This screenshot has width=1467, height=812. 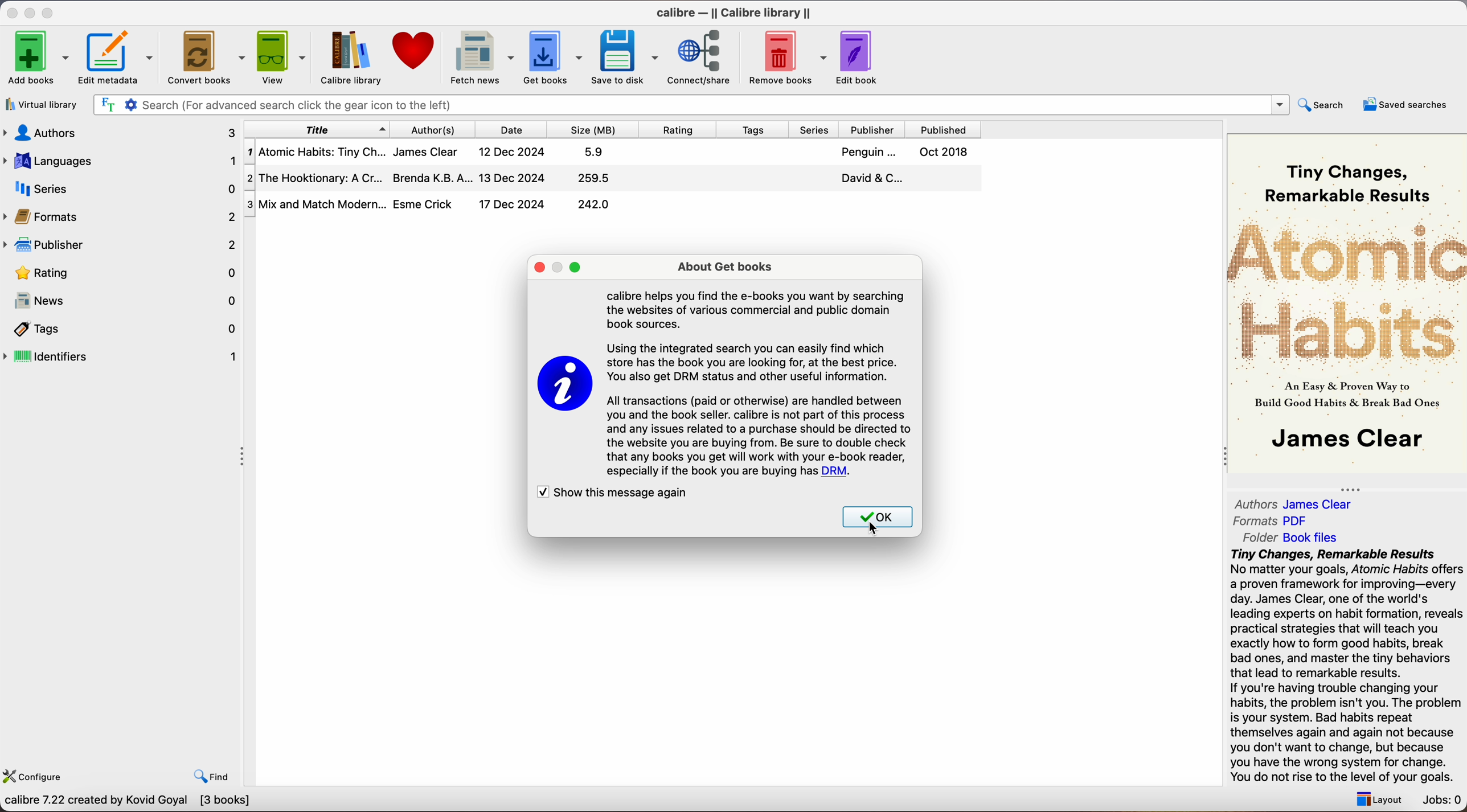 What do you see at coordinates (733, 13) in the screenshot?
I see `Calibre - ||Calibre library||` at bounding box center [733, 13].